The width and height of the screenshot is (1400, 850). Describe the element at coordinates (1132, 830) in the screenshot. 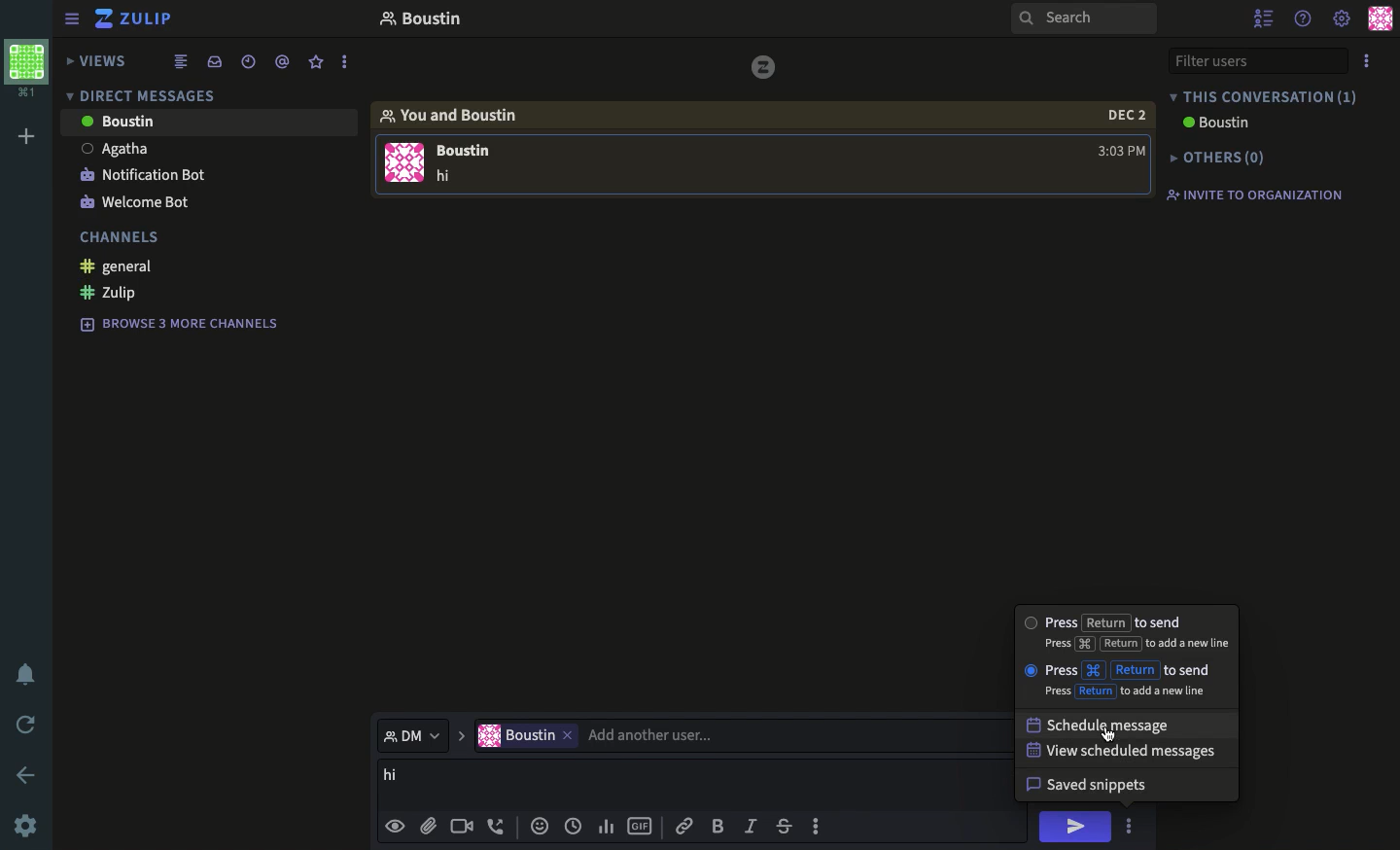

I see `click` at that location.